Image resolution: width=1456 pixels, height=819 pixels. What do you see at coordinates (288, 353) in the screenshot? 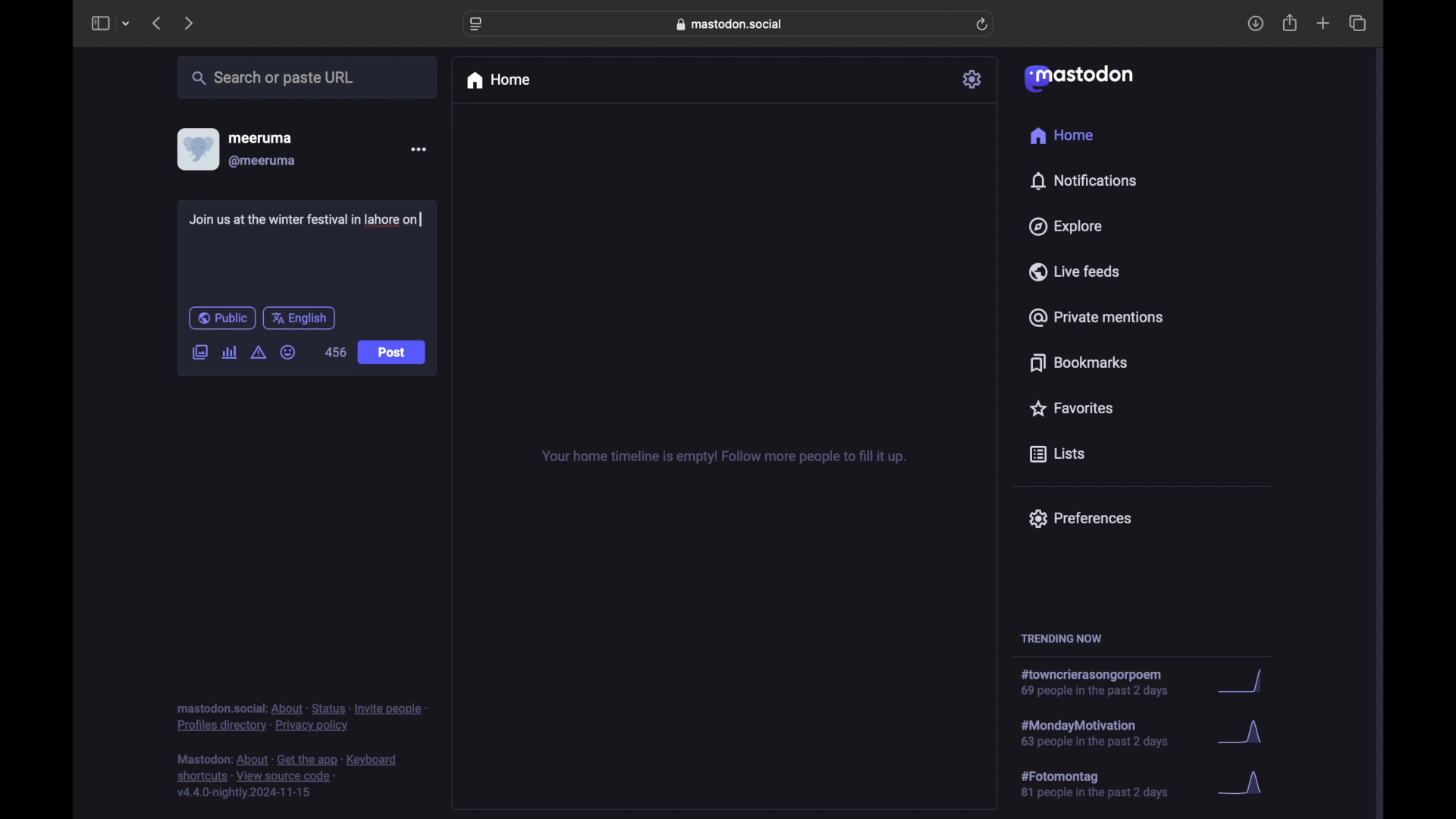
I see `emoji` at bounding box center [288, 353].